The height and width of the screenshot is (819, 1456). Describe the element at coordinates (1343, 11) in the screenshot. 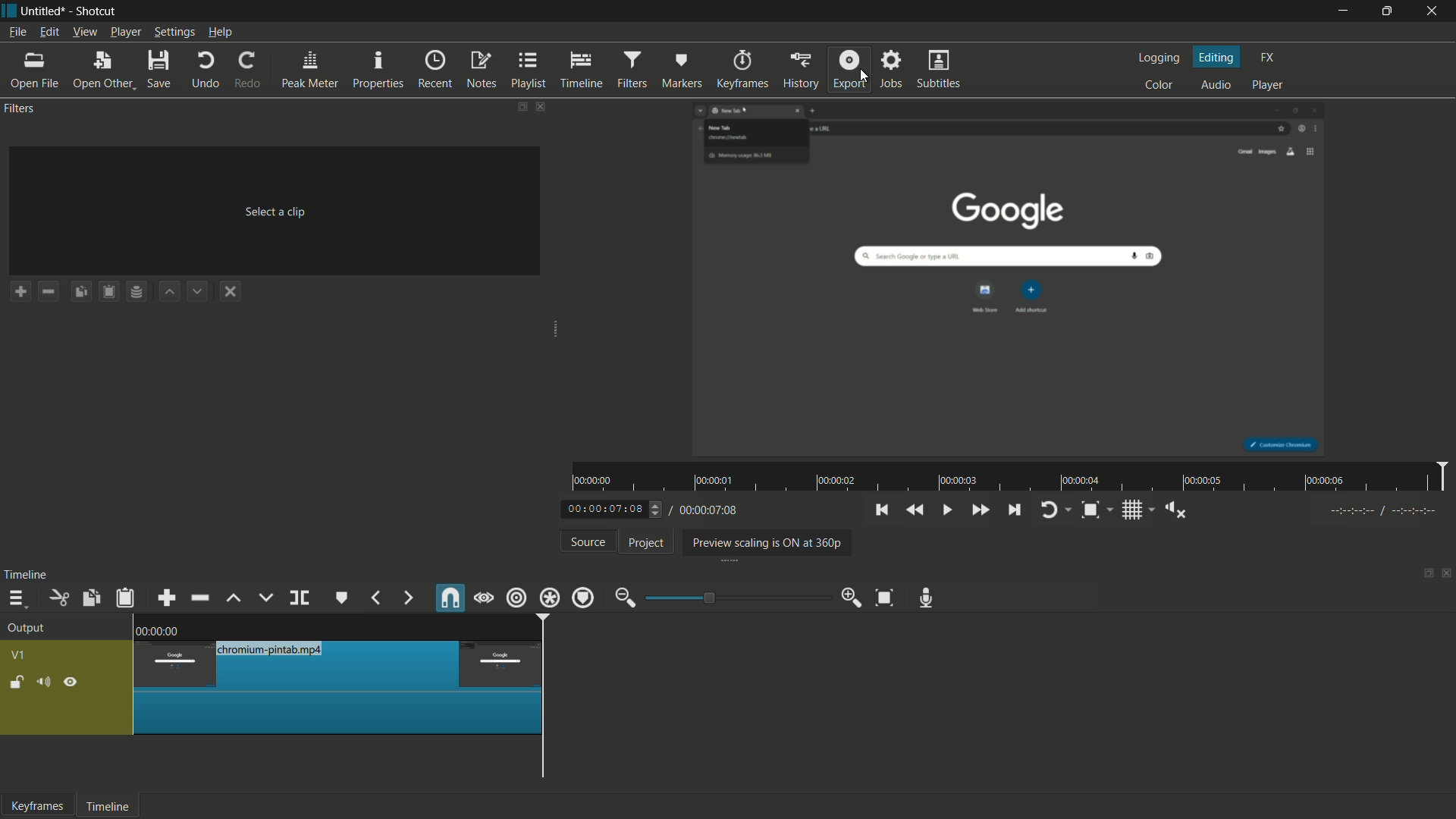

I see `minimize` at that location.